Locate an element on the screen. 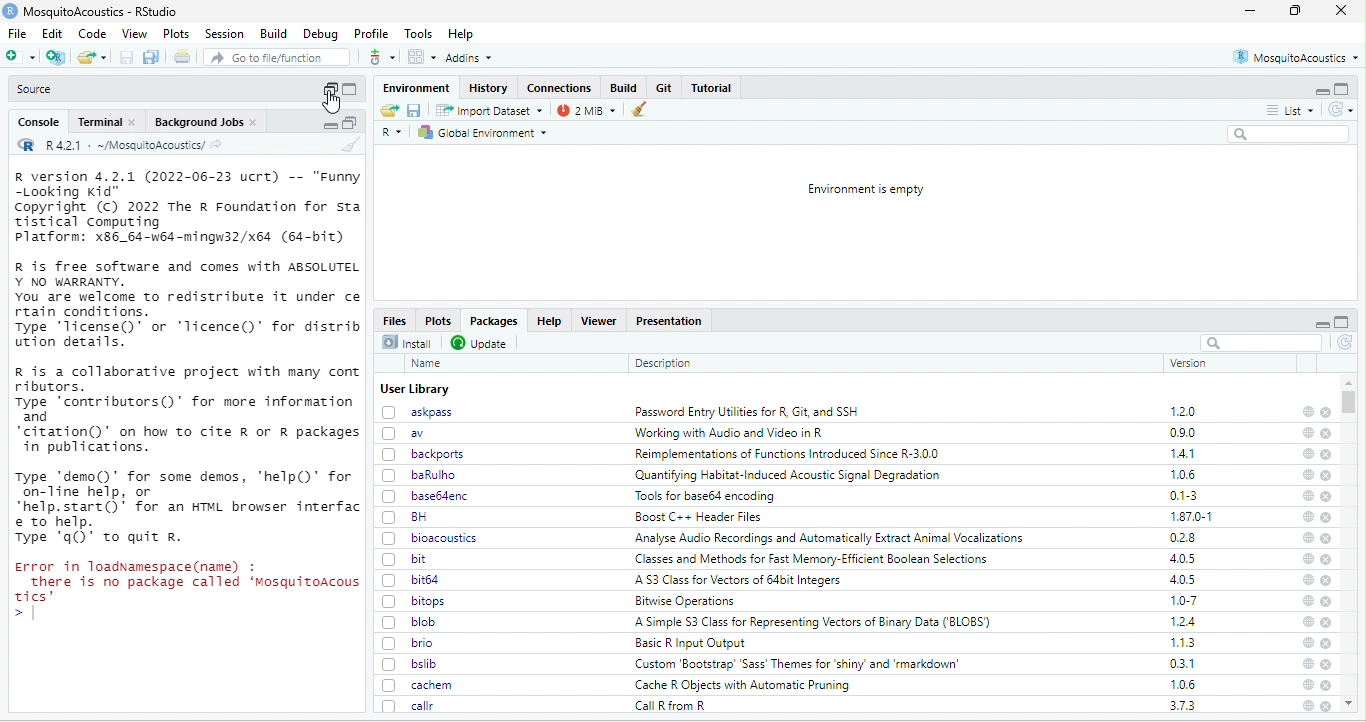 Image resolution: width=1366 pixels, height=722 pixels. Basic R Input Qutput is located at coordinates (699, 643).